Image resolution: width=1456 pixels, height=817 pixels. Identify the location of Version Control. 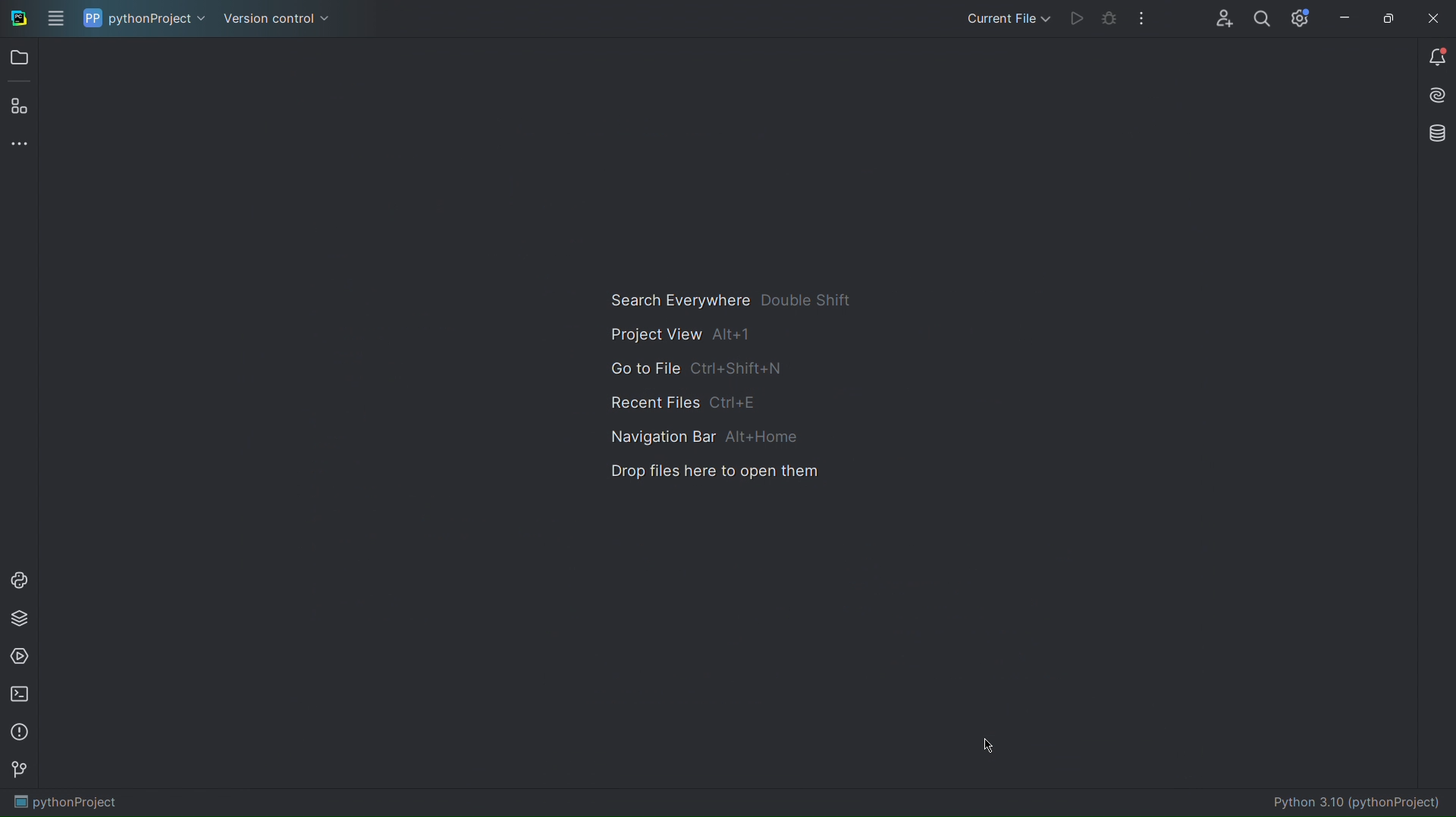
(19, 771).